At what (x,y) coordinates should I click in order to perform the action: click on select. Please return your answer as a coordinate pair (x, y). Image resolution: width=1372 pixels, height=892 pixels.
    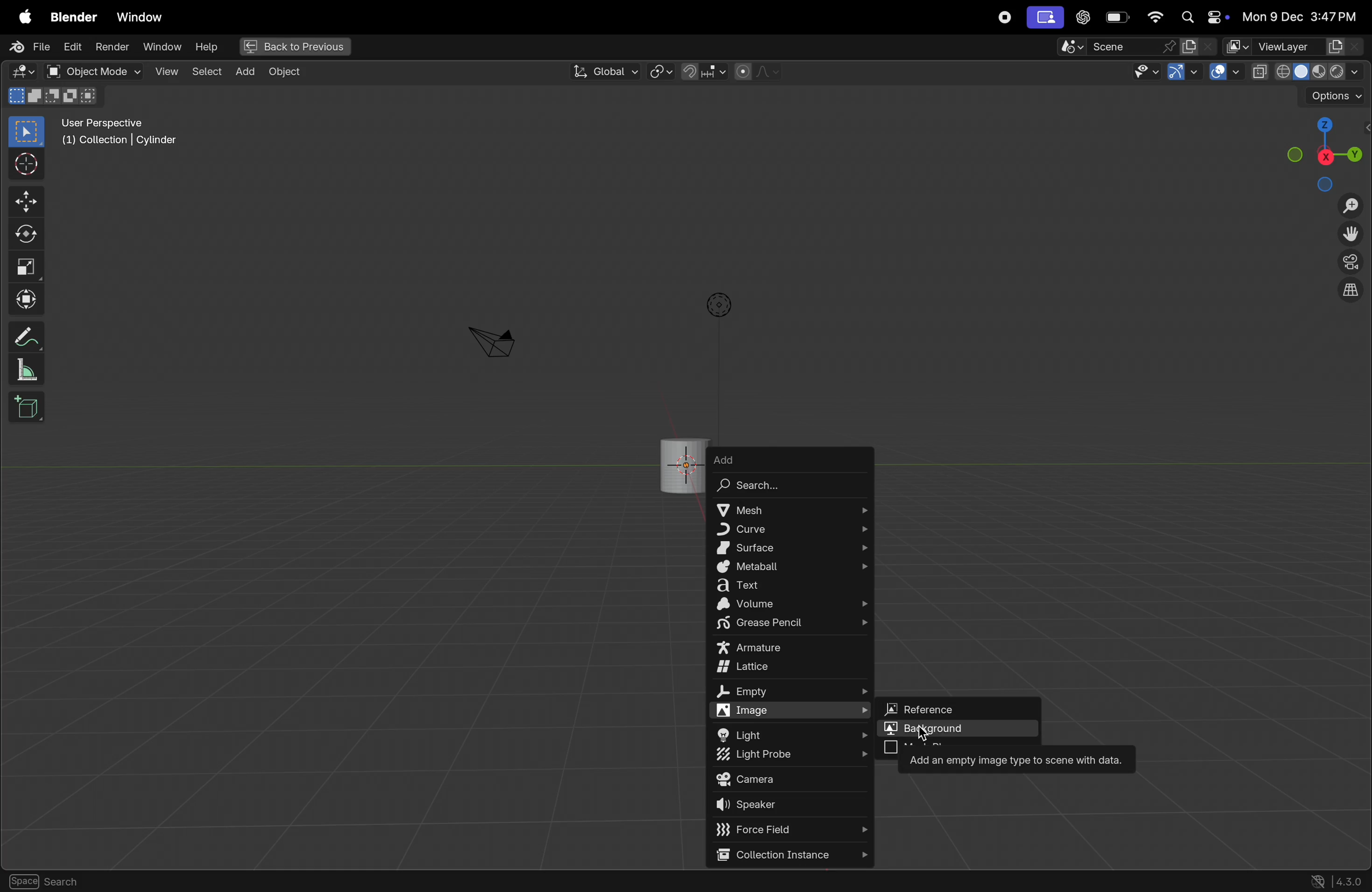
    Looking at the image, I should click on (206, 72).